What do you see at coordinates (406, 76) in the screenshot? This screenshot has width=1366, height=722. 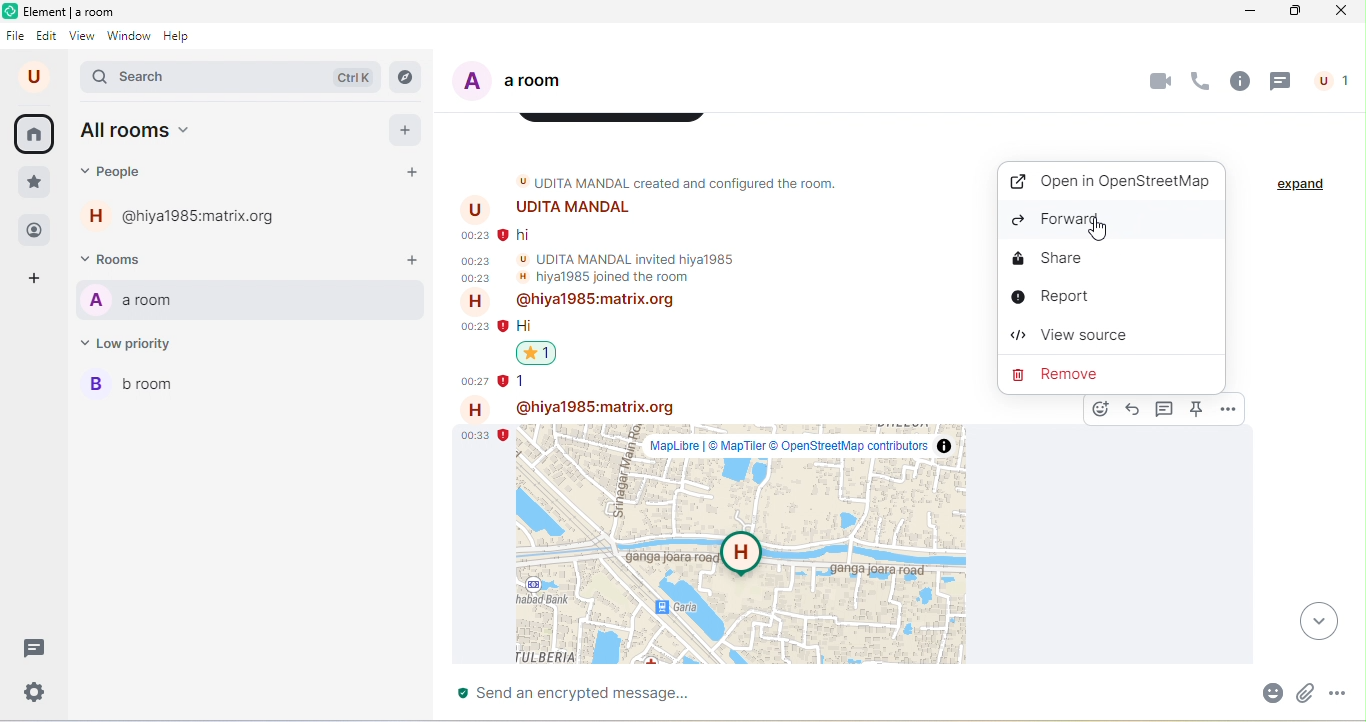 I see `explore rooms` at bounding box center [406, 76].